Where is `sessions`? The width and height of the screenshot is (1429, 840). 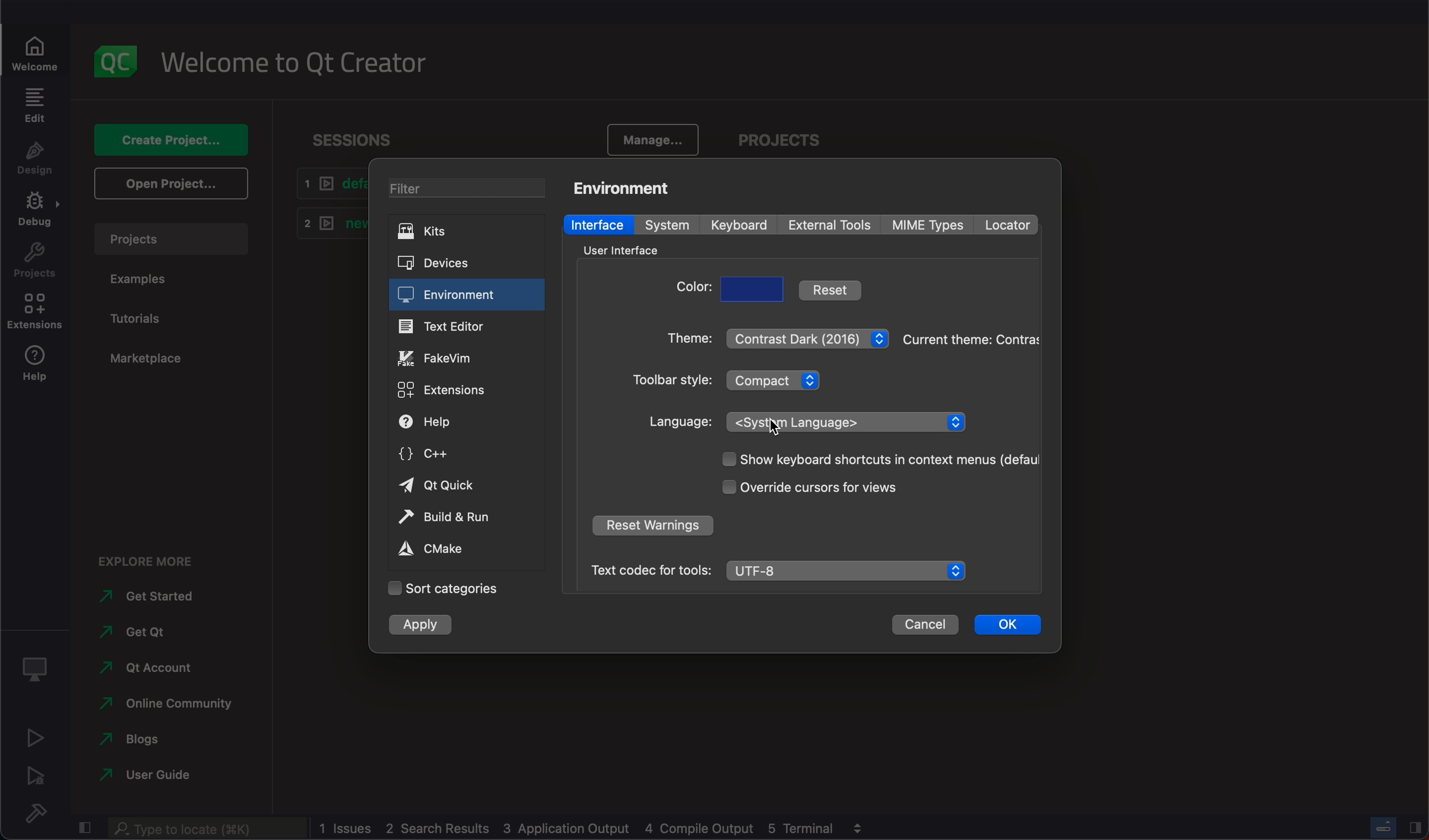 sessions is located at coordinates (366, 137).